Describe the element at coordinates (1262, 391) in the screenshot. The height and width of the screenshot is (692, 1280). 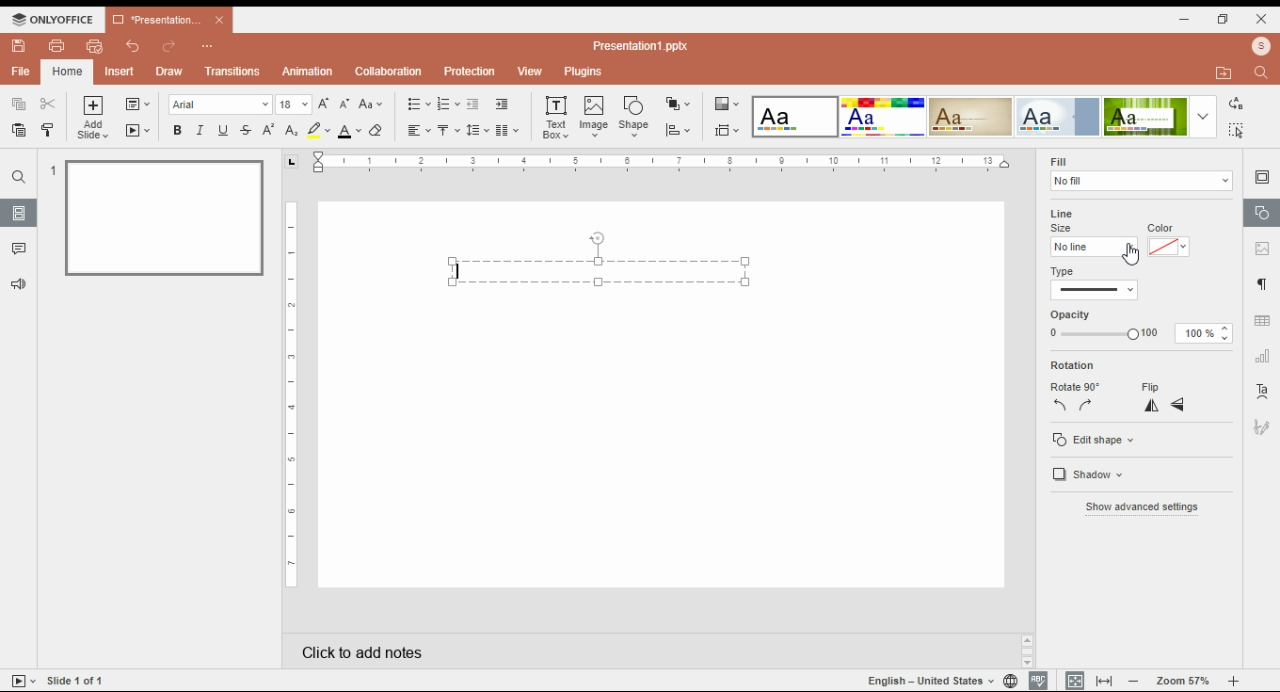
I see `text art settings` at that location.